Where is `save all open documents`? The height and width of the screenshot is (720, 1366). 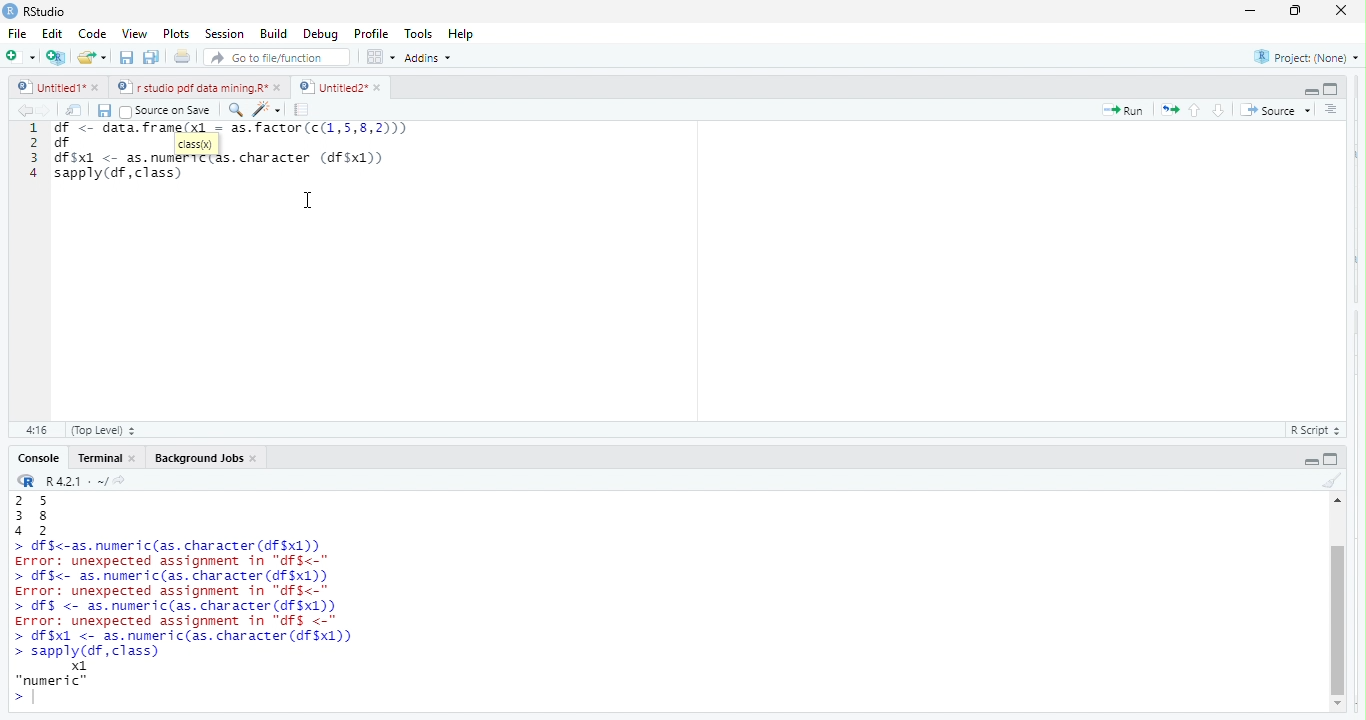 save all open documents is located at coordinates (149, 57).